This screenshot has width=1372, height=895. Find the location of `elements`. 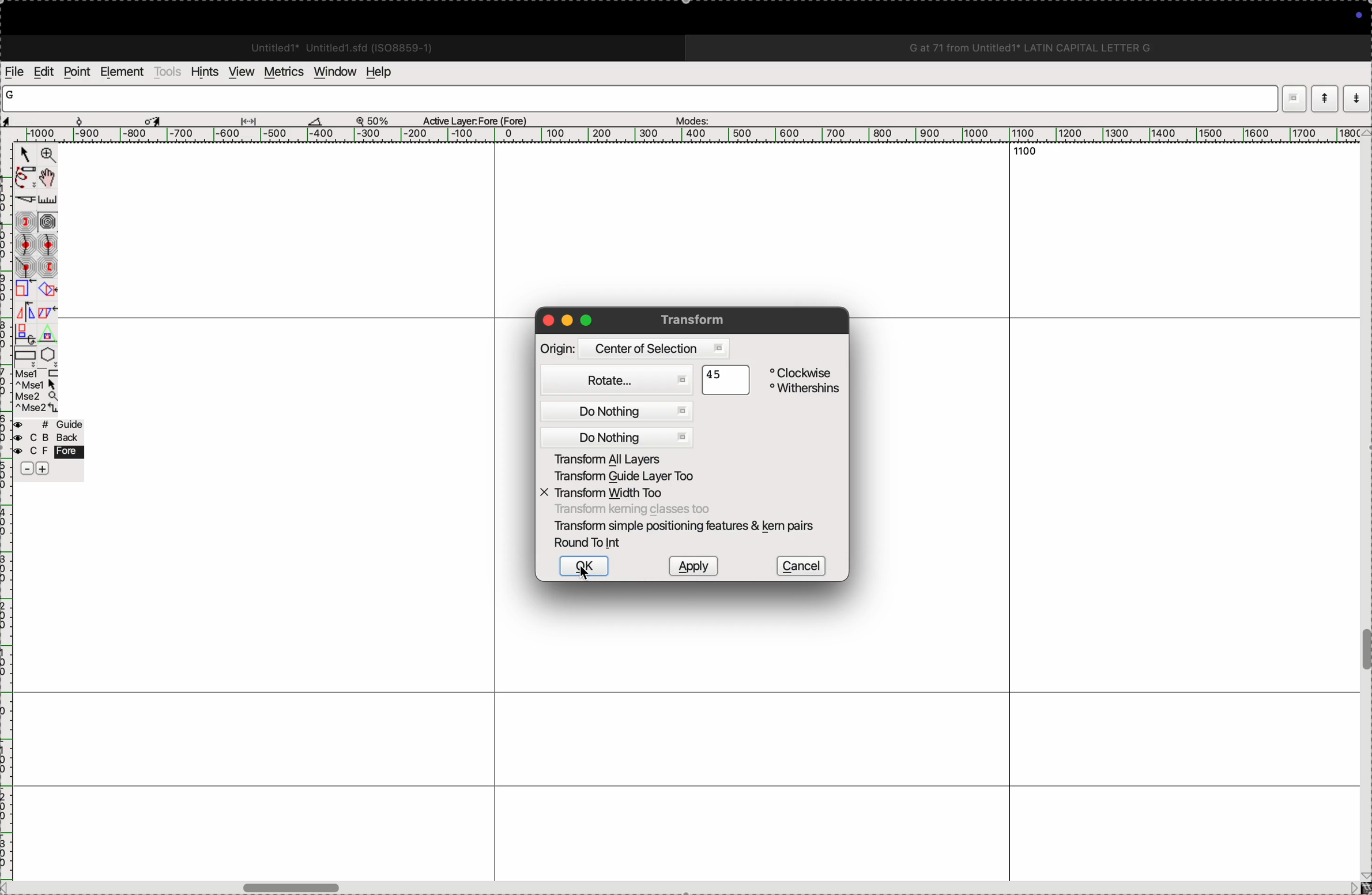

elements is located at coordinates (125, 72).